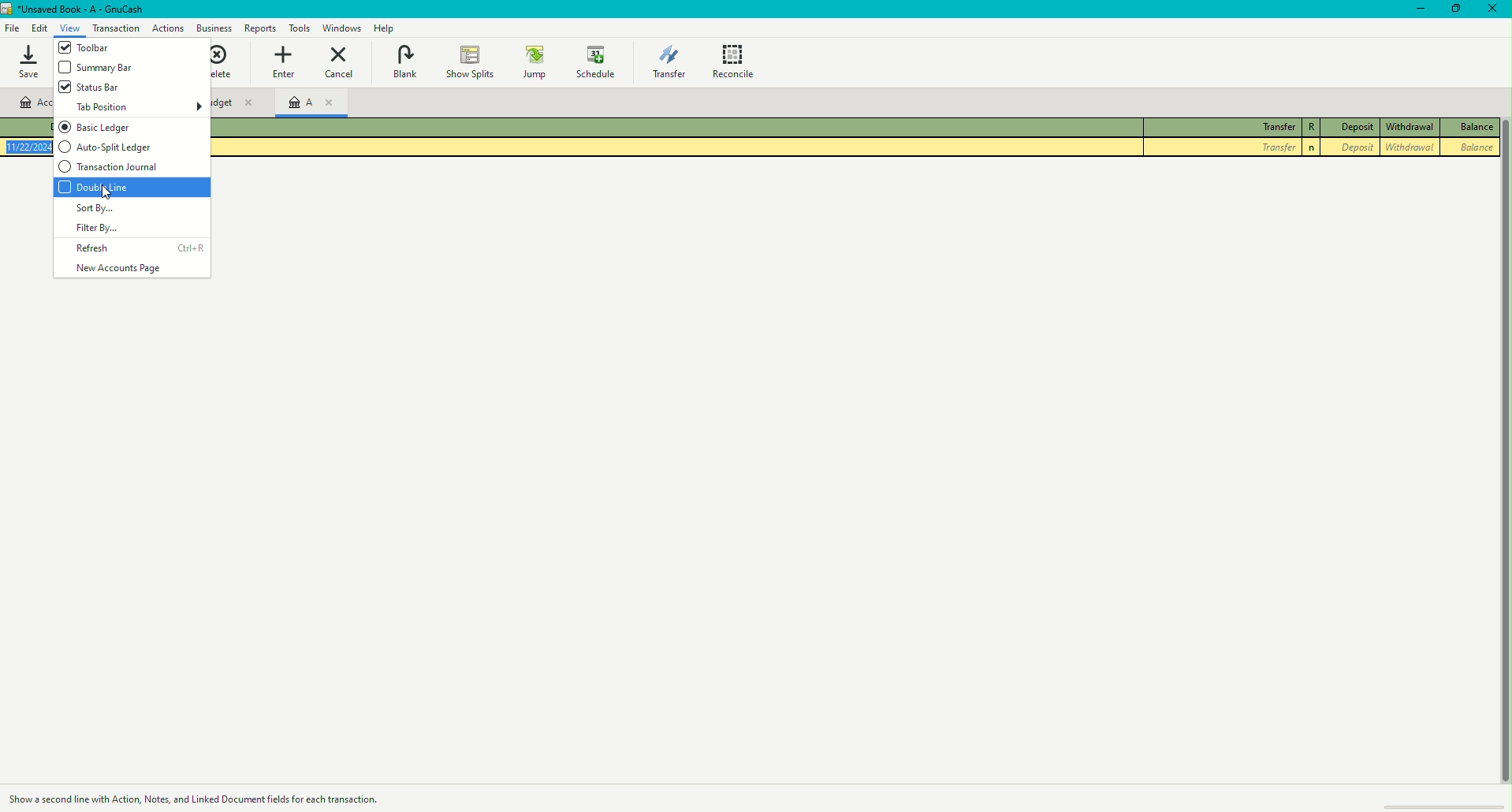 This screenshot has height=812, width=1512. I want to click on Sort by, so click(99, 208).